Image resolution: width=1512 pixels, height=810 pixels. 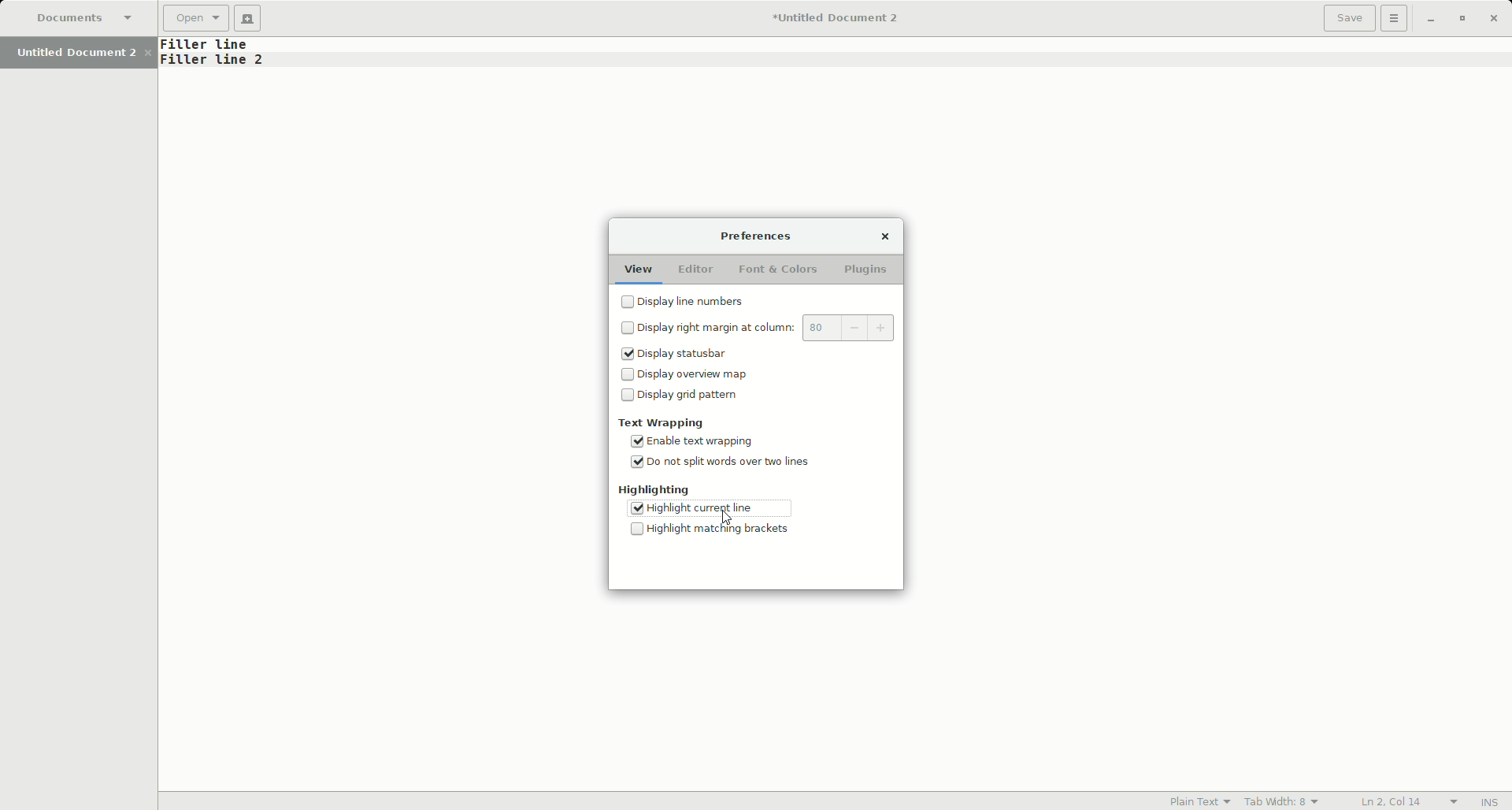 I want to click on Documents, so click(x=89, y=20).